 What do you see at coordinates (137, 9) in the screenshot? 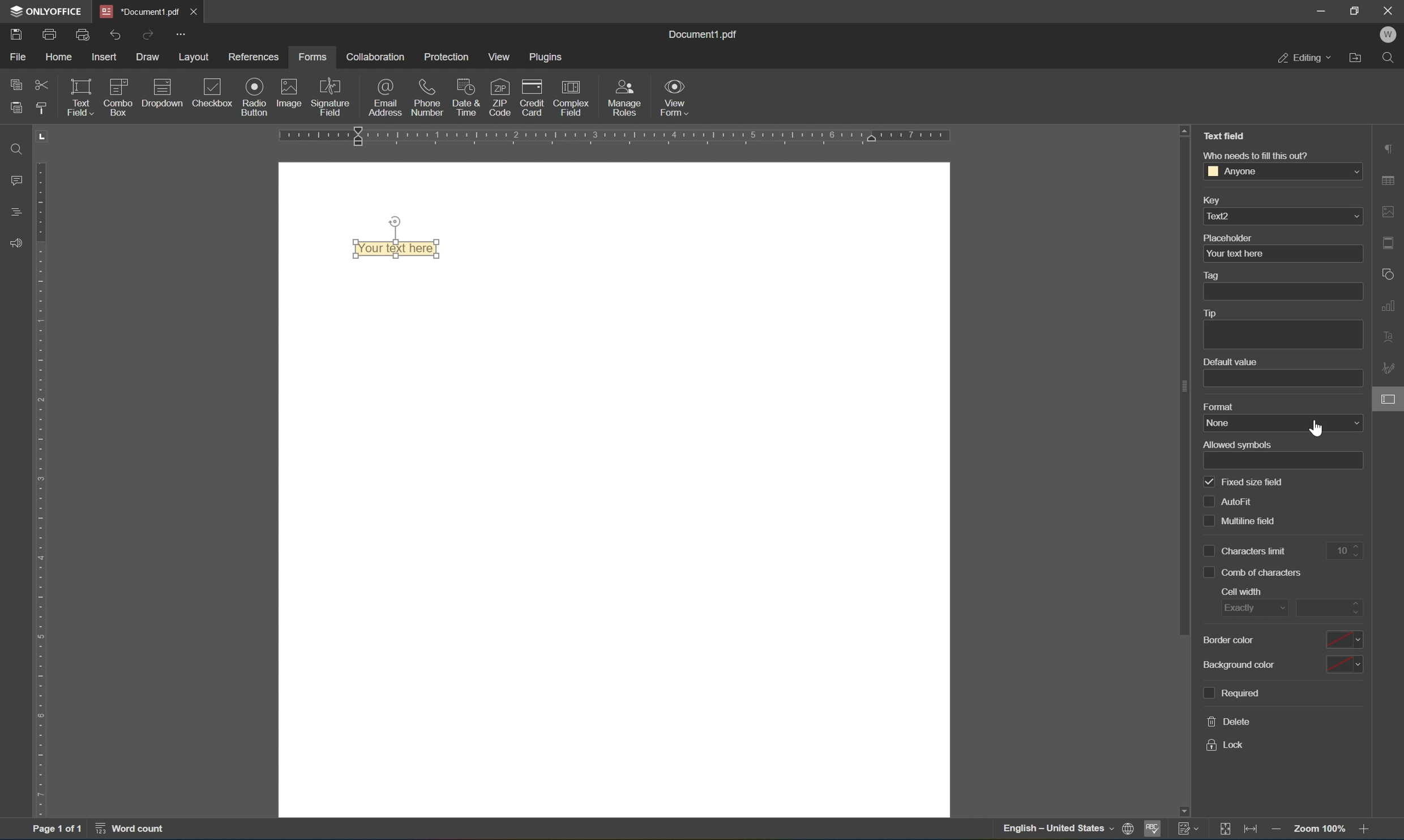
I see `document1` at bounding box center [137, 9].